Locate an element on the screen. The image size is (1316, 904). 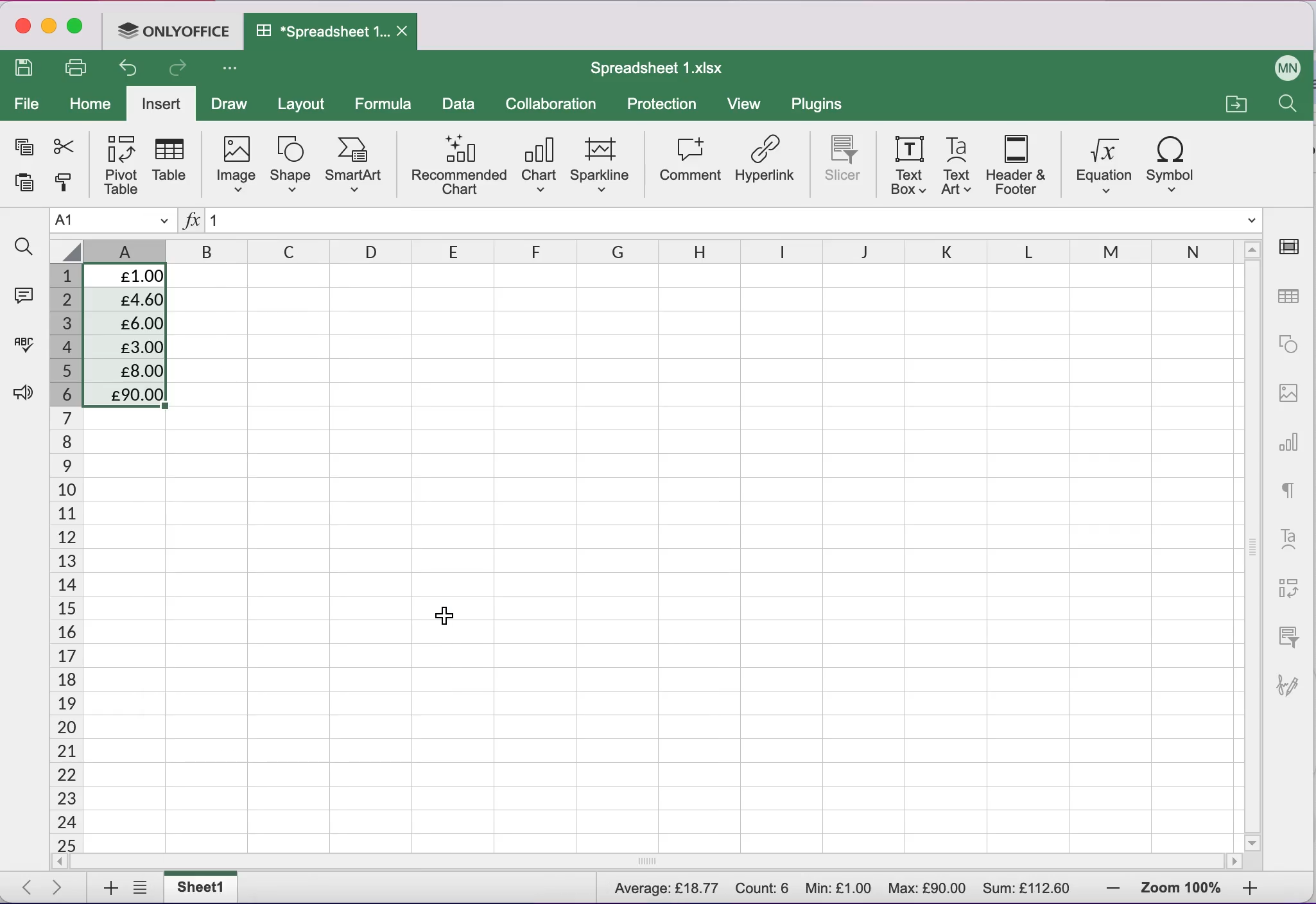
cut is located at coordinates (62, 146).